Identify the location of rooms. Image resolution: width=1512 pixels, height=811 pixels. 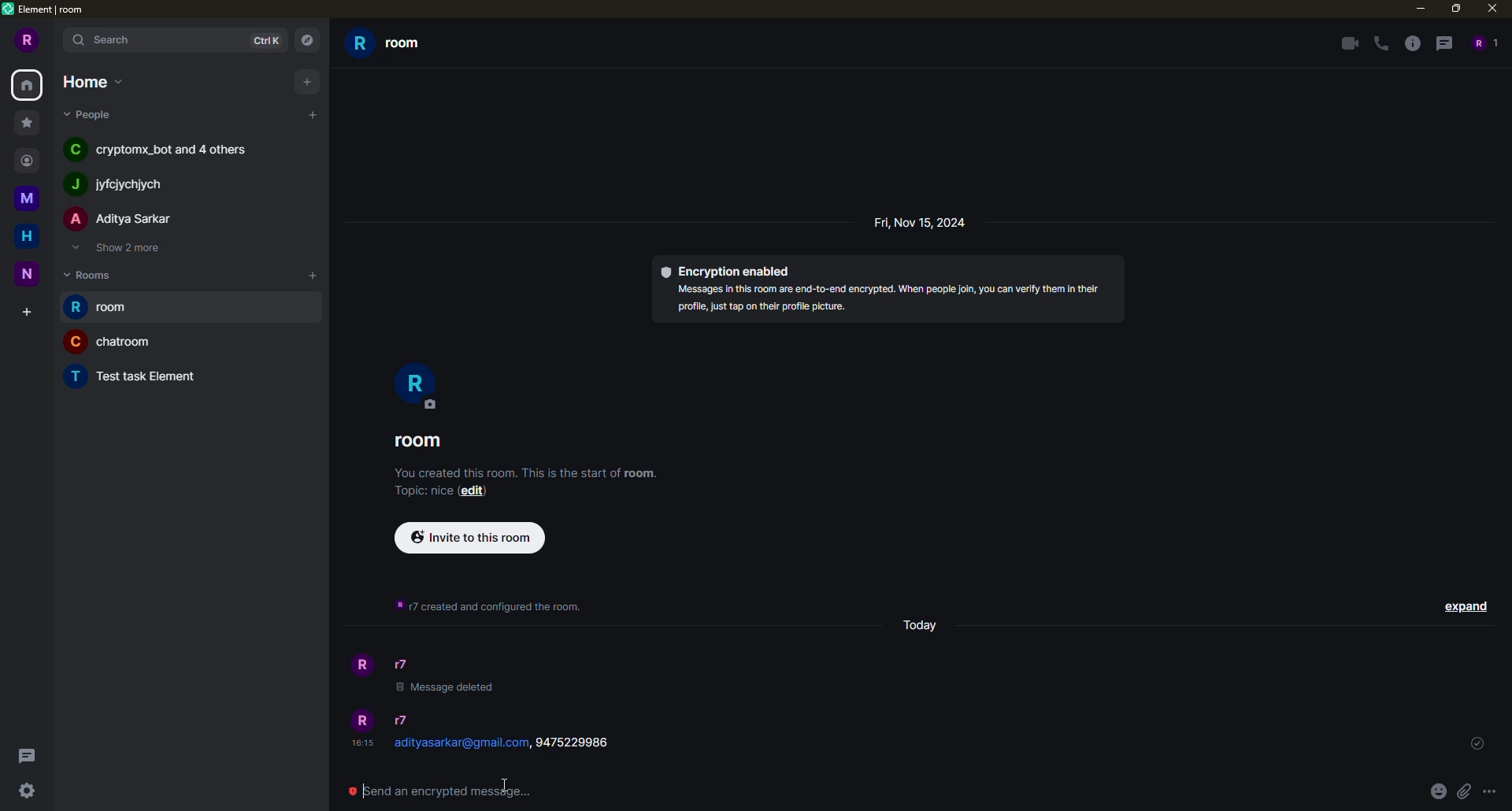
(91, 274).